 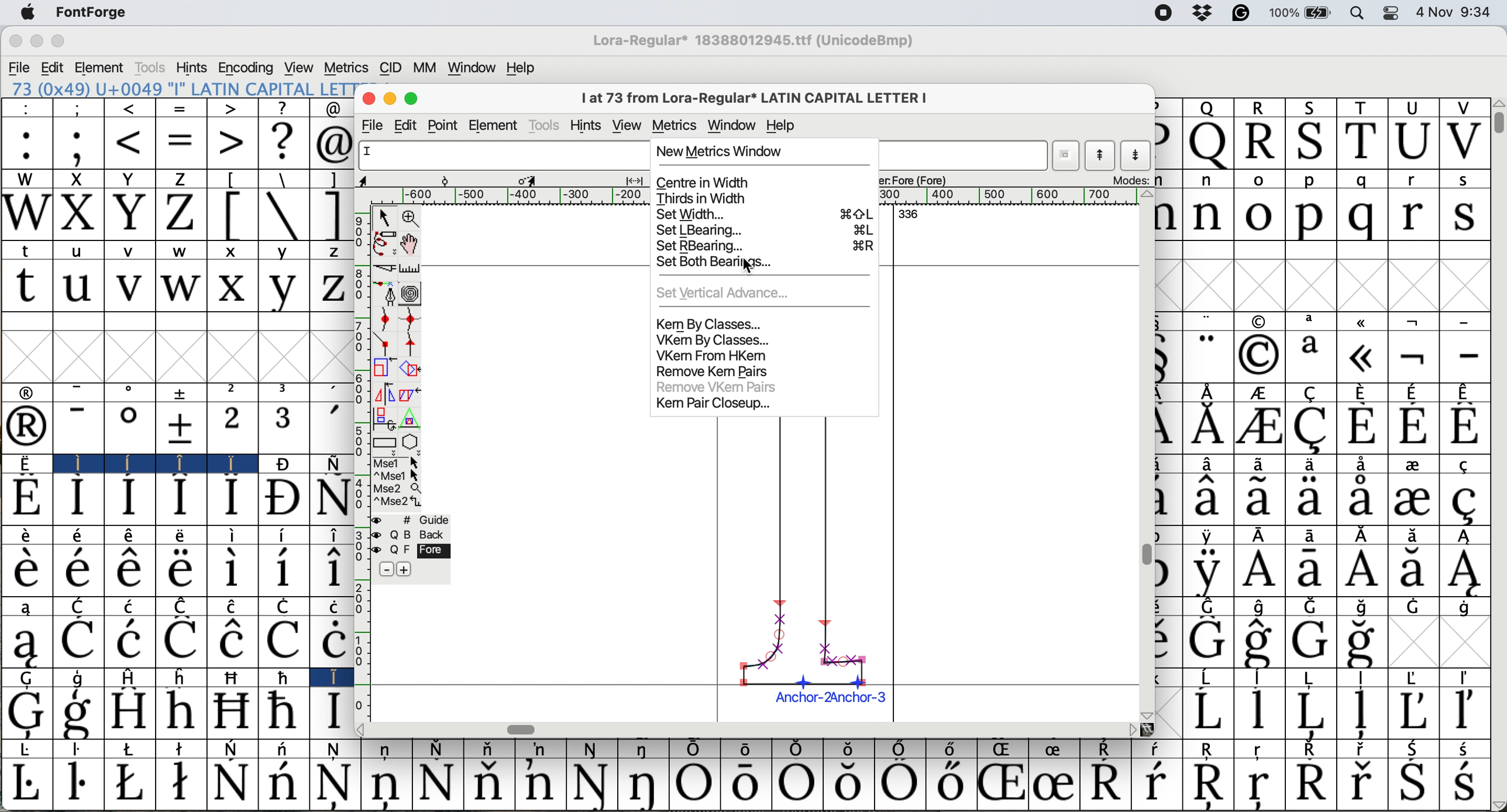 I want to click on Symbol, so click(x=129, y=570).